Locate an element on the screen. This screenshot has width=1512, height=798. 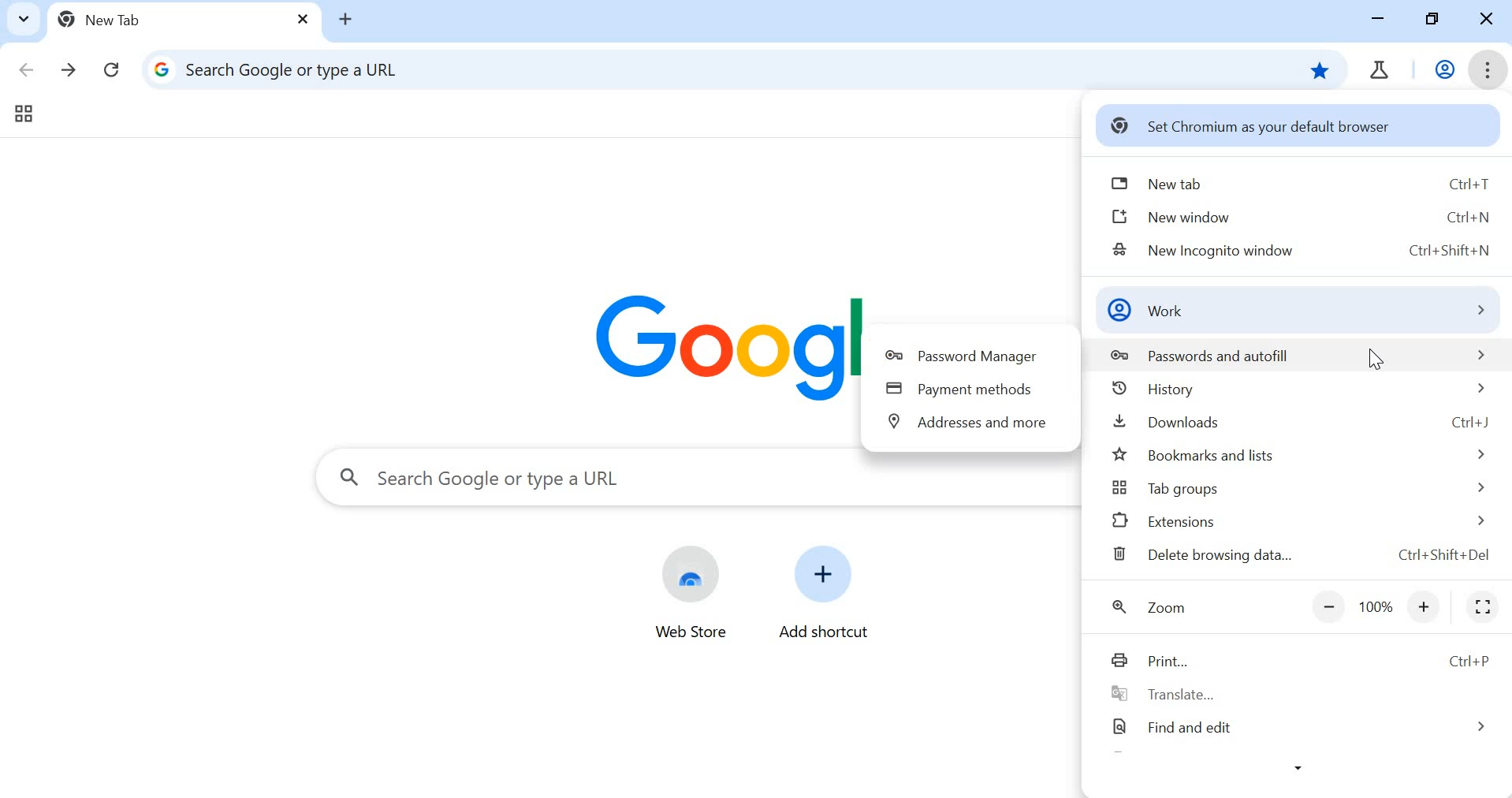
add tab is located at coordinates (348, 20).